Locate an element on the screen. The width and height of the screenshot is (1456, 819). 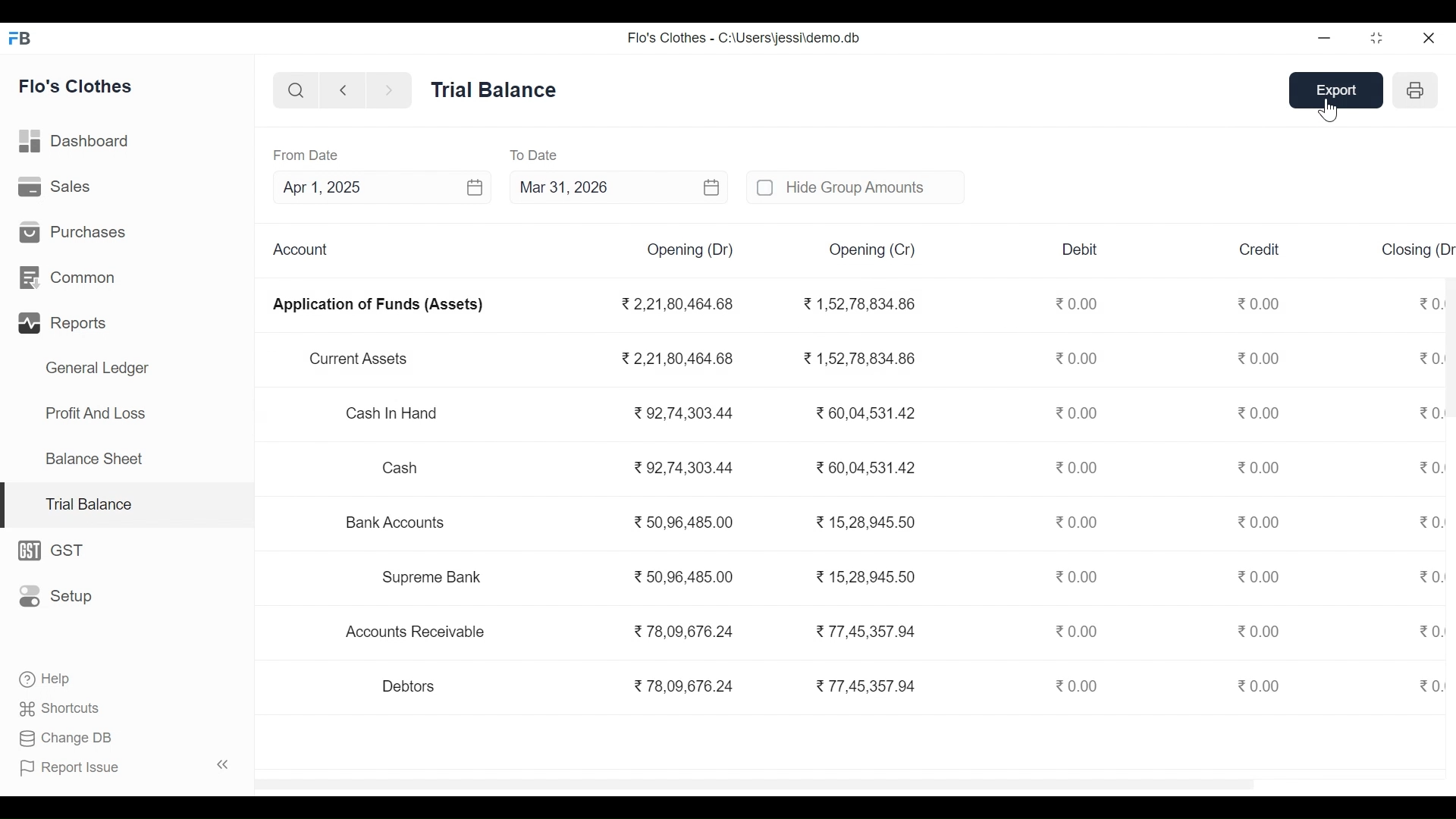
Account is located at coordinates (305, 249).